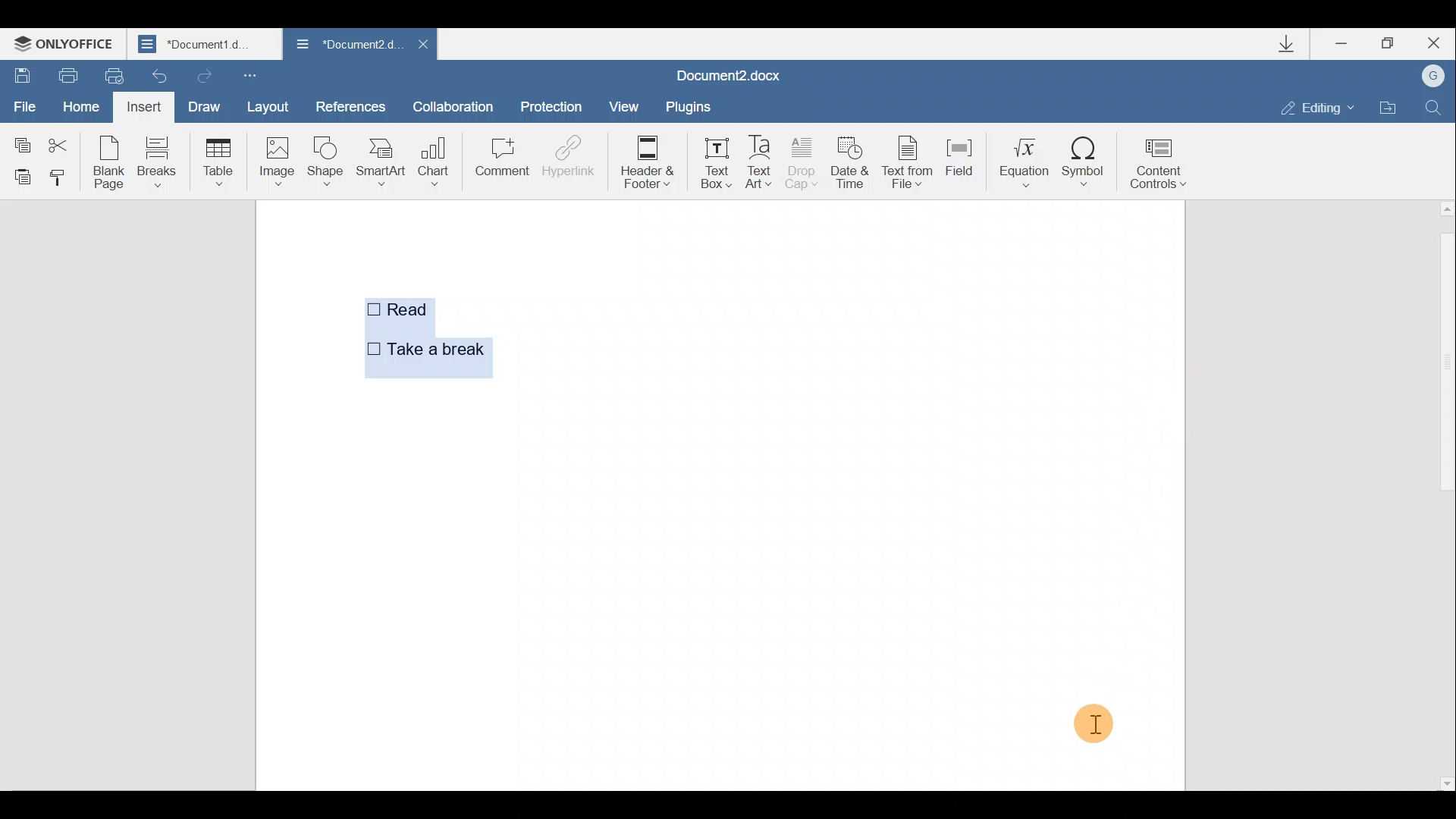 The image size is (1456, 819). What do you see at coordinates (1443, 494) in the screenshot?
I see `Scroll bar` at bounding box center [1443, 494].